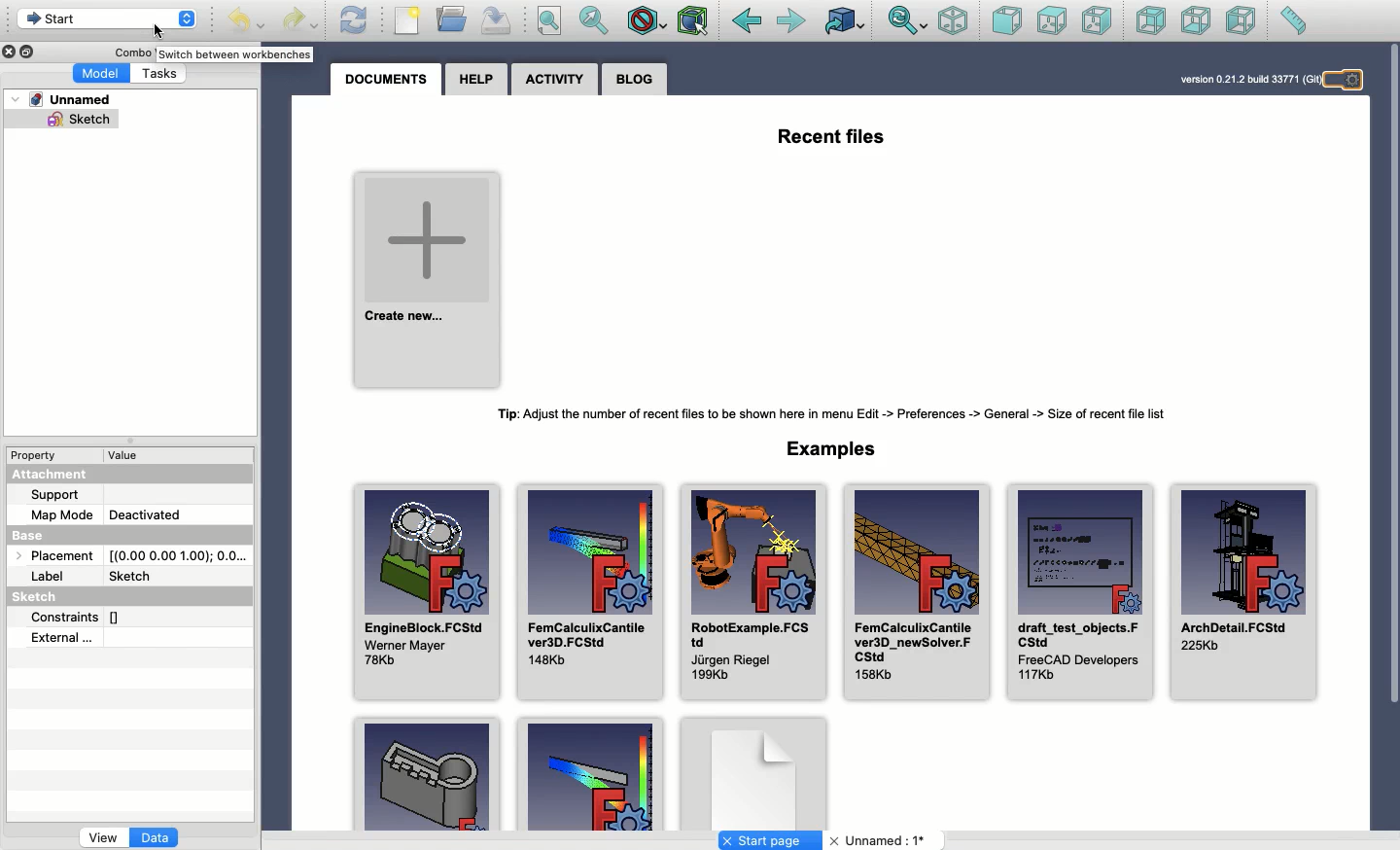 The image size is (1400, 850). Describe the element at coordinates (354, 20) in the screenshot. I see `Refresh` at that location.